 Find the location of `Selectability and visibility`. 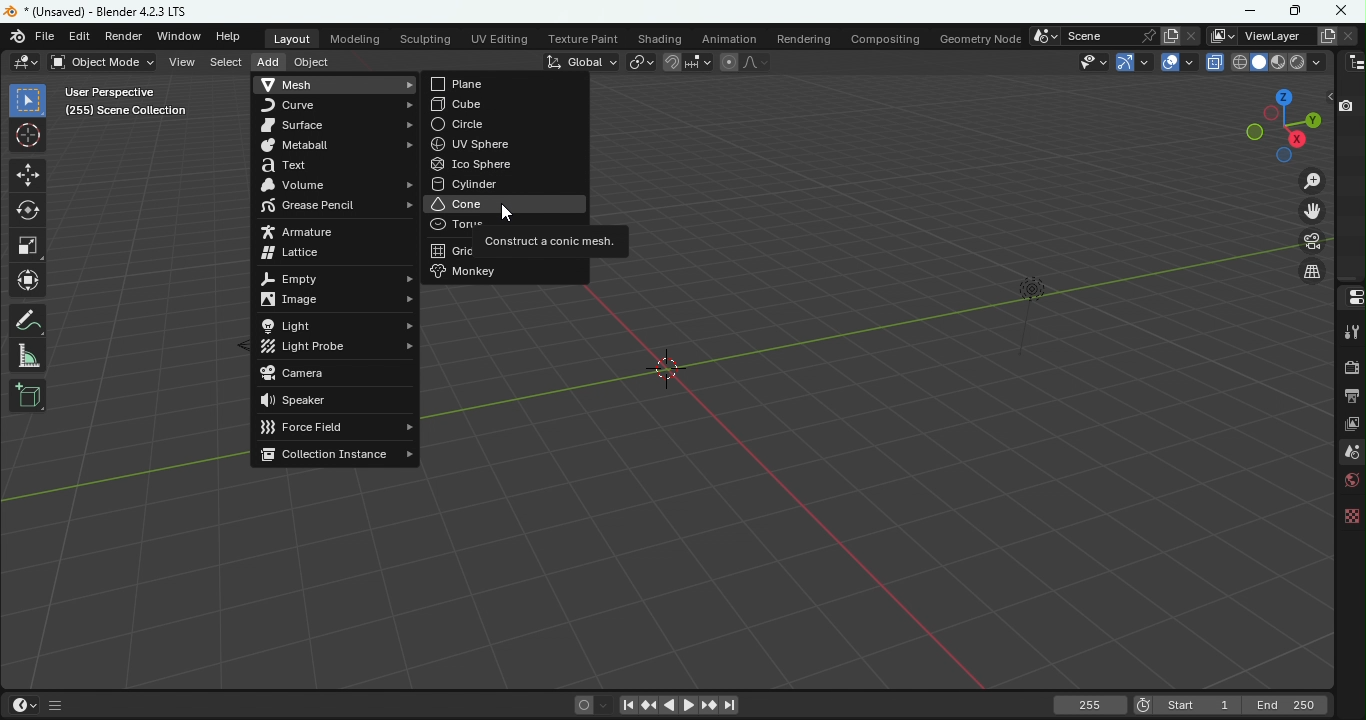

Selectability and visibility is located at coordinates (1091, 62).